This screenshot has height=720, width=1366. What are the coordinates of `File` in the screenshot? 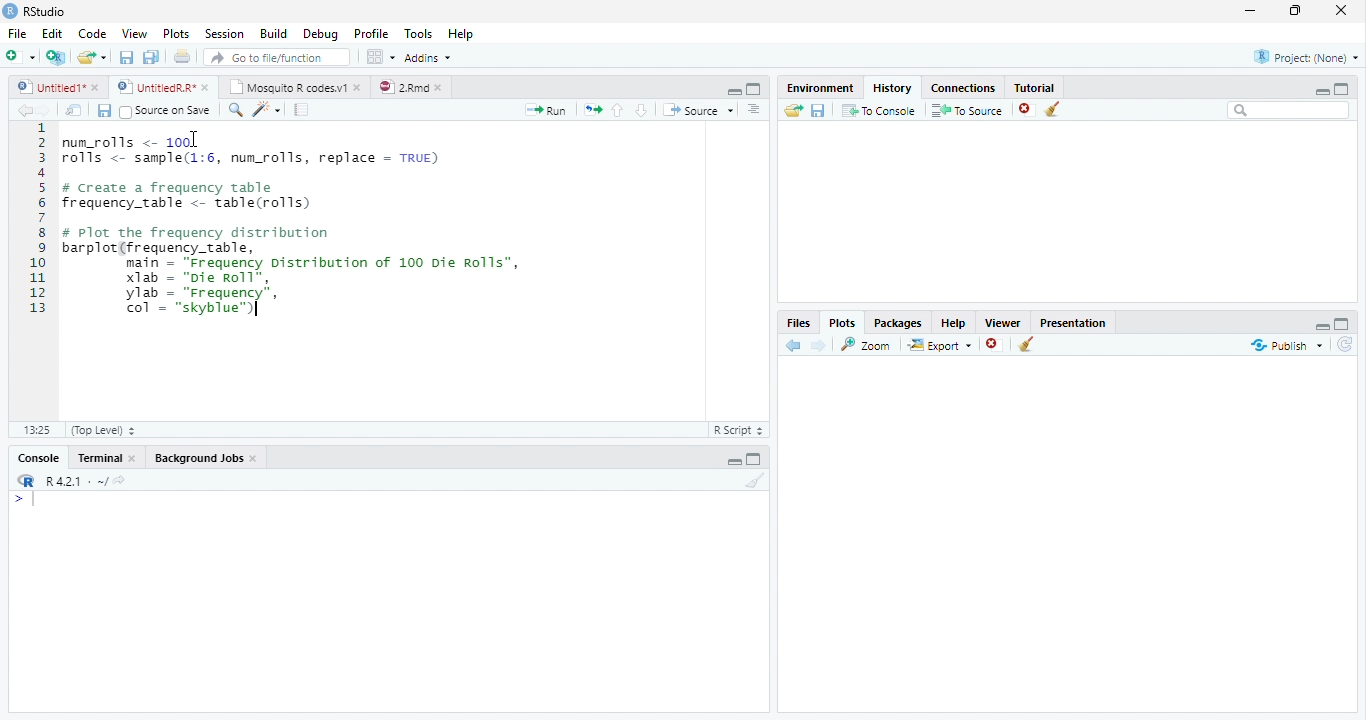 It's located at (18, 31).